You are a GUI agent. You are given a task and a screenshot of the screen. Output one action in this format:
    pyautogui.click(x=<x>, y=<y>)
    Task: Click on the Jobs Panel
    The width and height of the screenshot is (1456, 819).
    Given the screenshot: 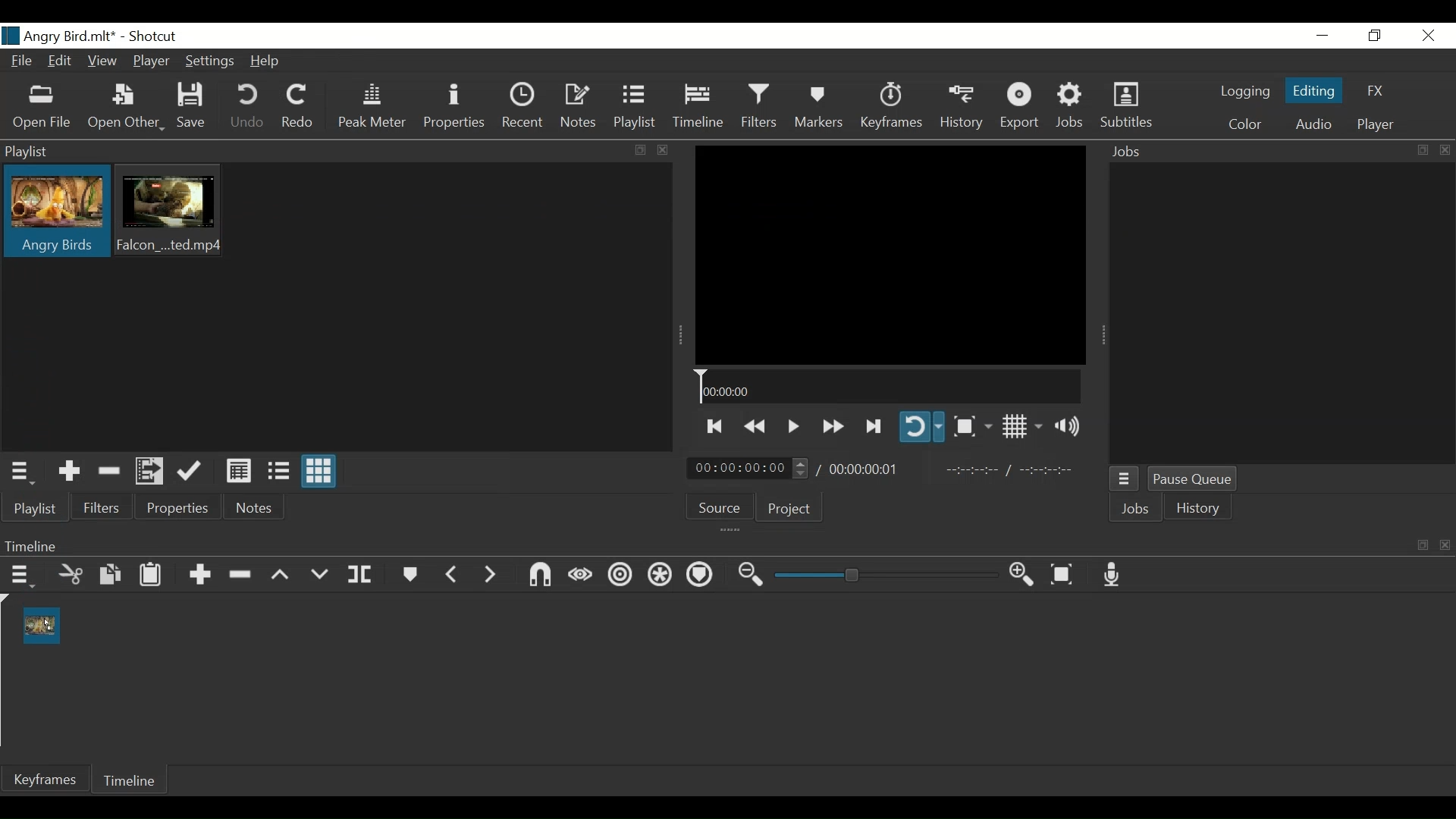 What is the action you would take?
    pyautogui.click(x=1277, y=150)
    